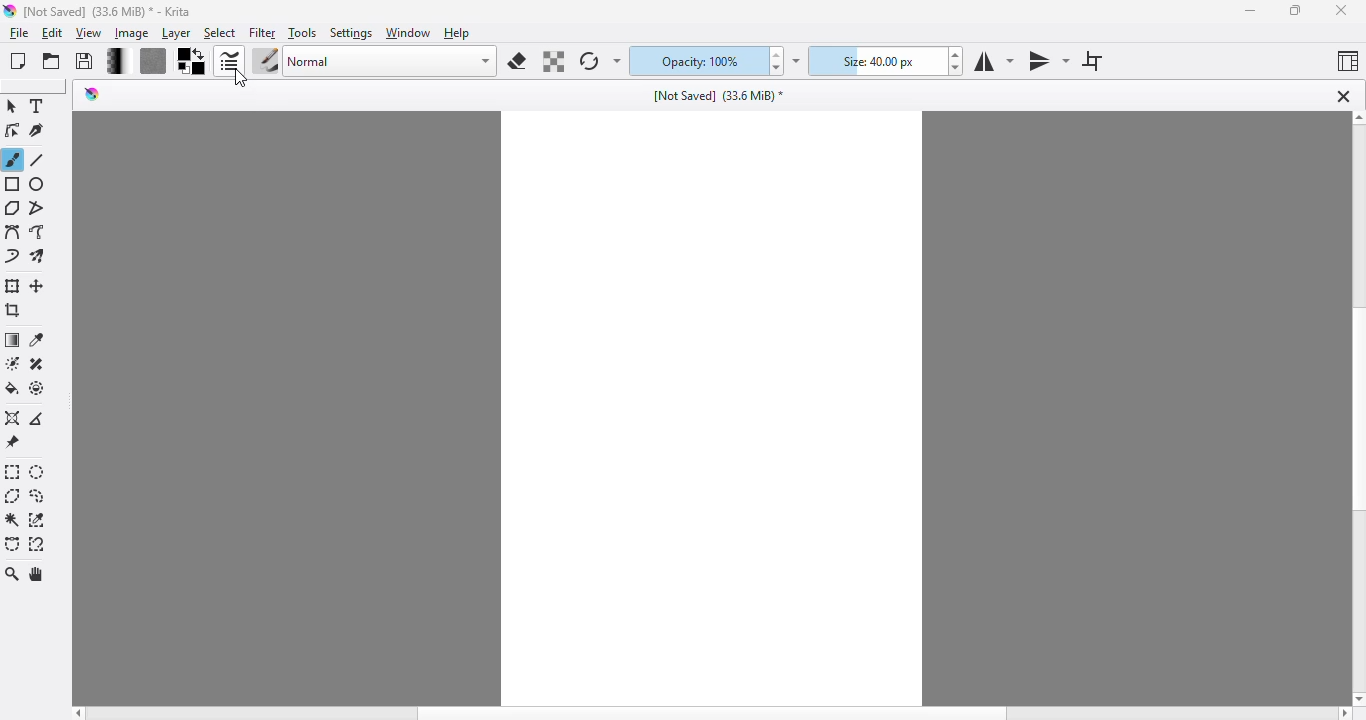 The width and height of the screenshot is (1366, 720). Describe the element at coordinates (13, 544) in the screenshot. I see `bezier curve selection tool` at that location.